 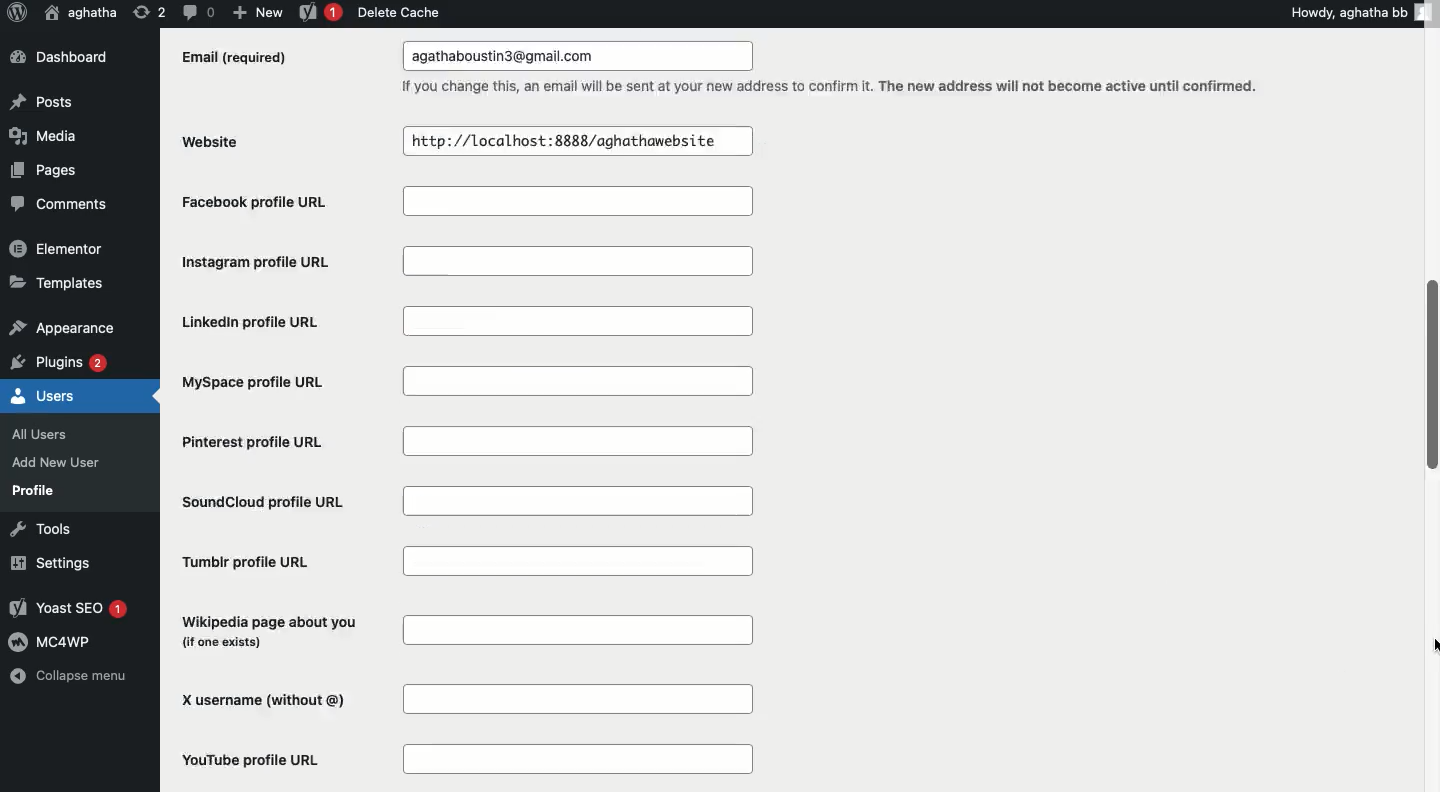 I want to click on Elementor, so click(x=58, y=247).